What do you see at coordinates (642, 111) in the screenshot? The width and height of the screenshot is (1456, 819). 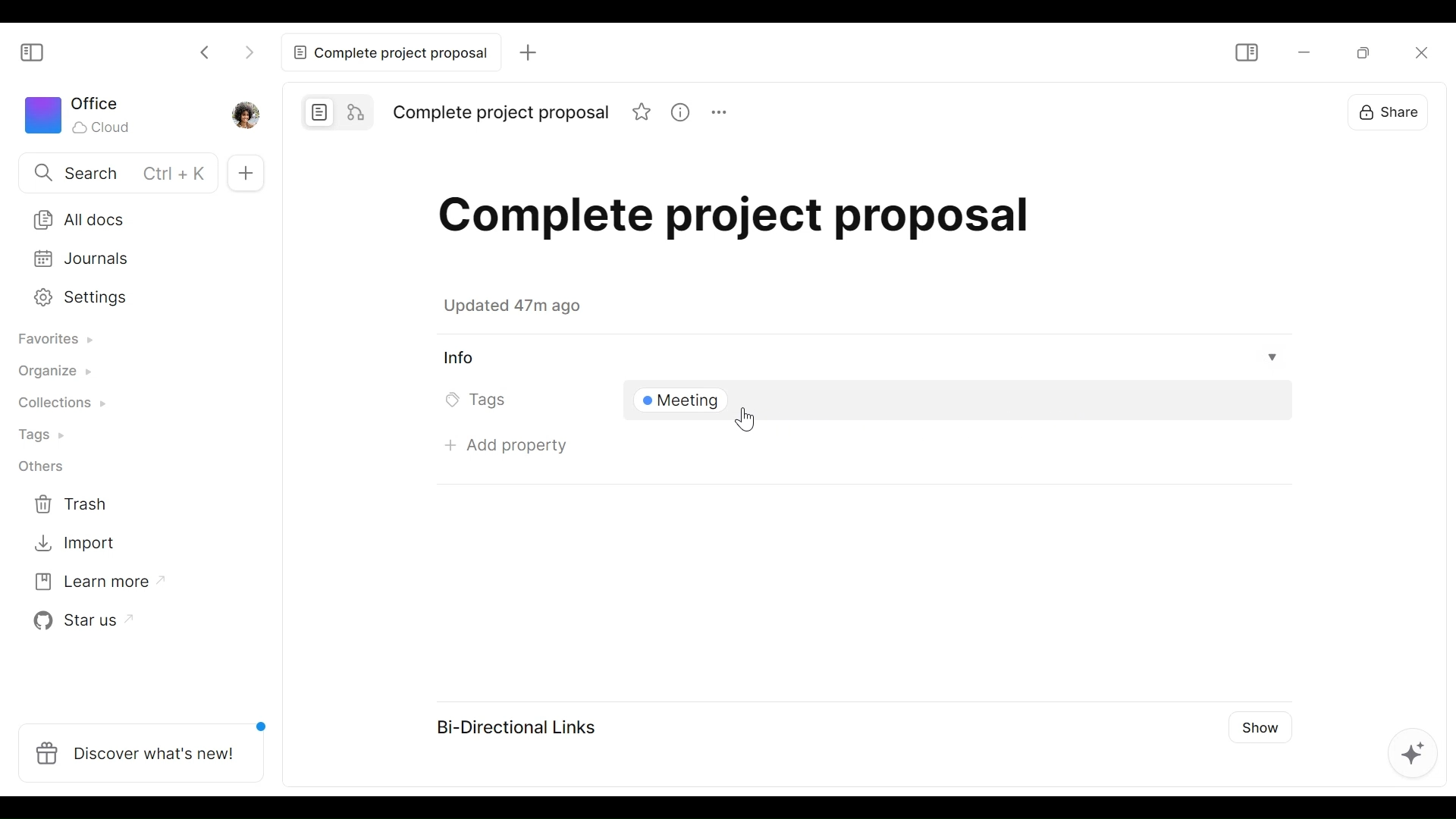 I see `Favorite` at bounding box center [642, 111].